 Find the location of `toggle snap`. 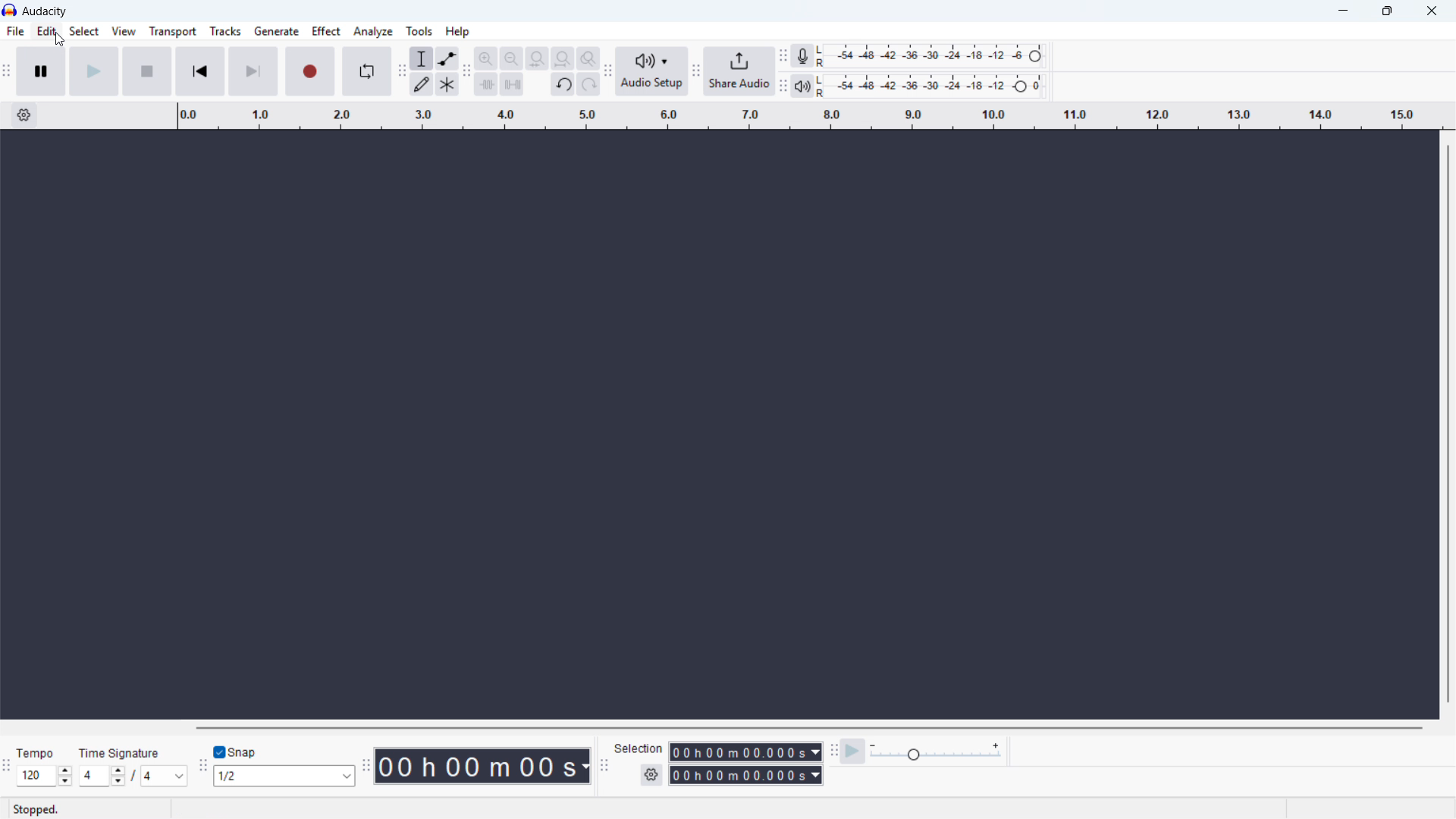

toggle snap is located at coordinates (234, 753).